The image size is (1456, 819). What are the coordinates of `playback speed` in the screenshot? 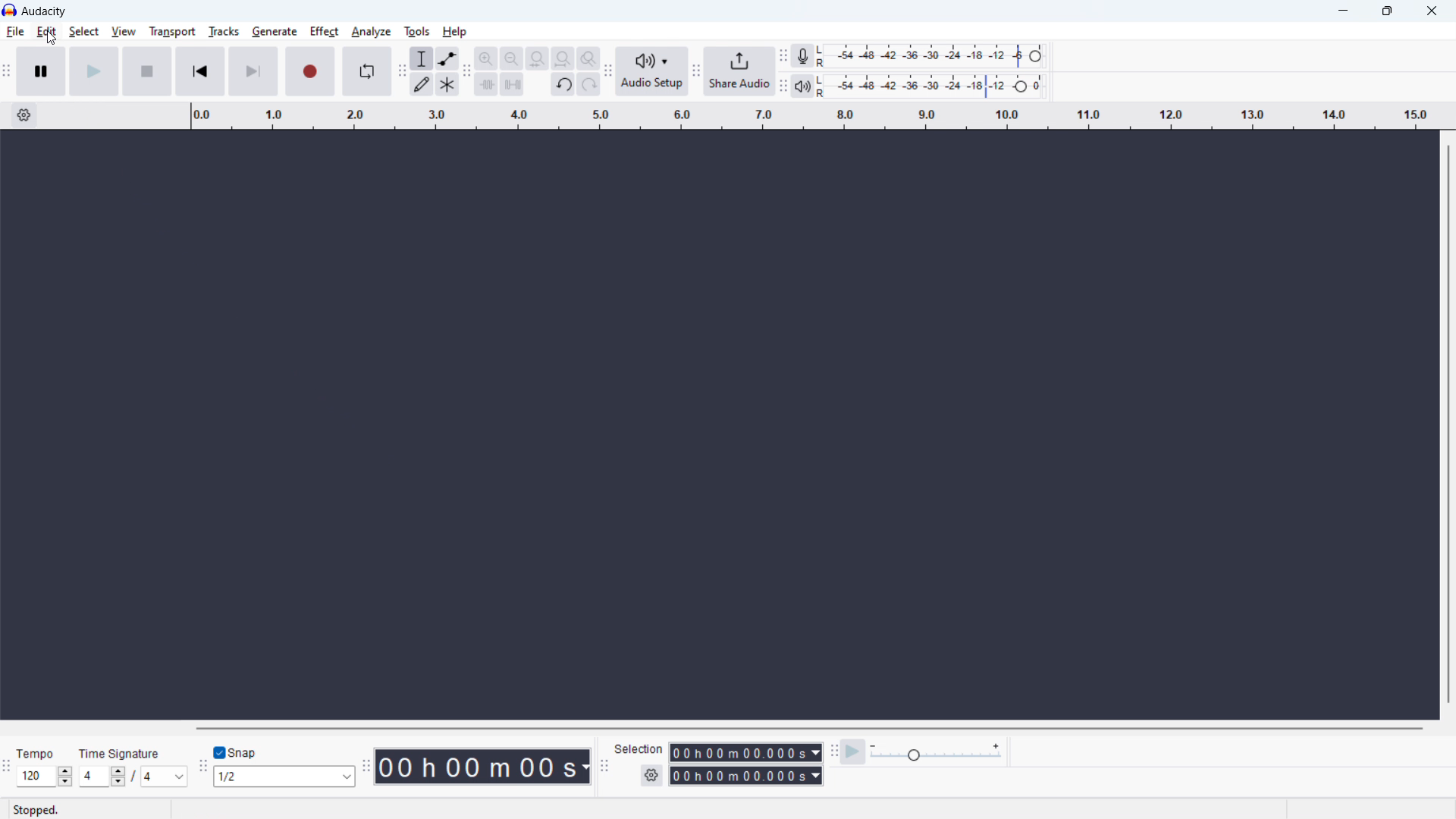 It's located at (936, 751).